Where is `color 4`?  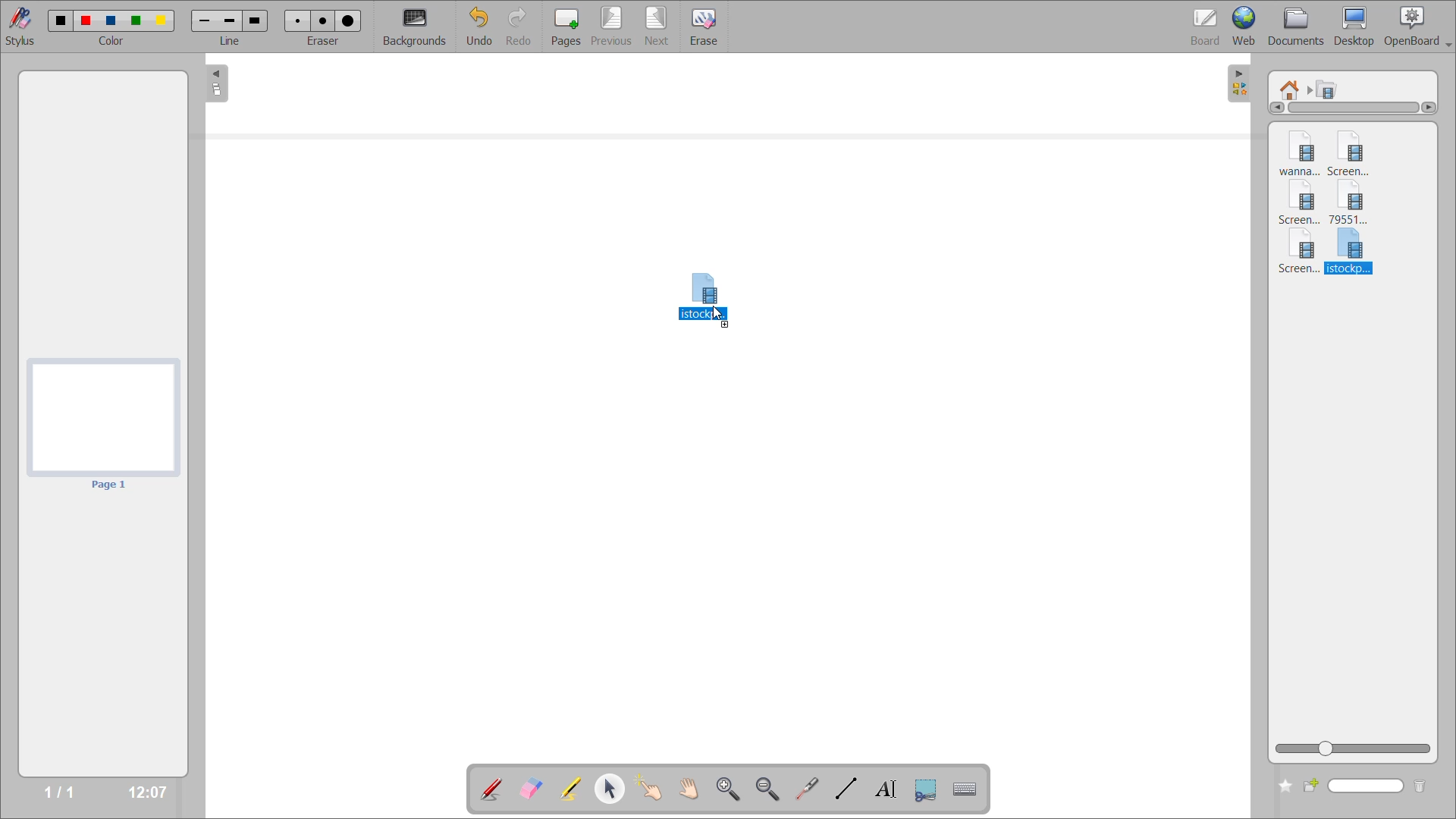
color 4 is located at coordinates (137, 22).